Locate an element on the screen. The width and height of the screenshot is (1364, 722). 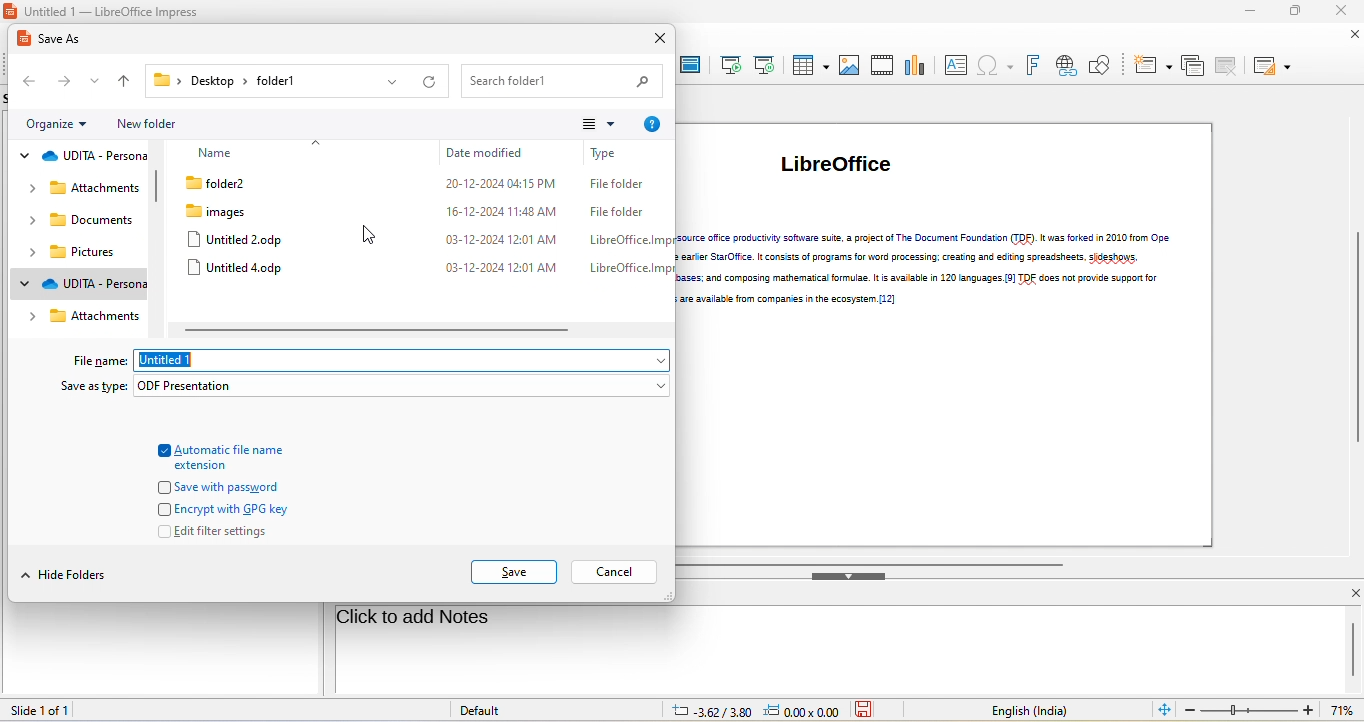
fit slide to current window is located at coordinates (1165, 711).